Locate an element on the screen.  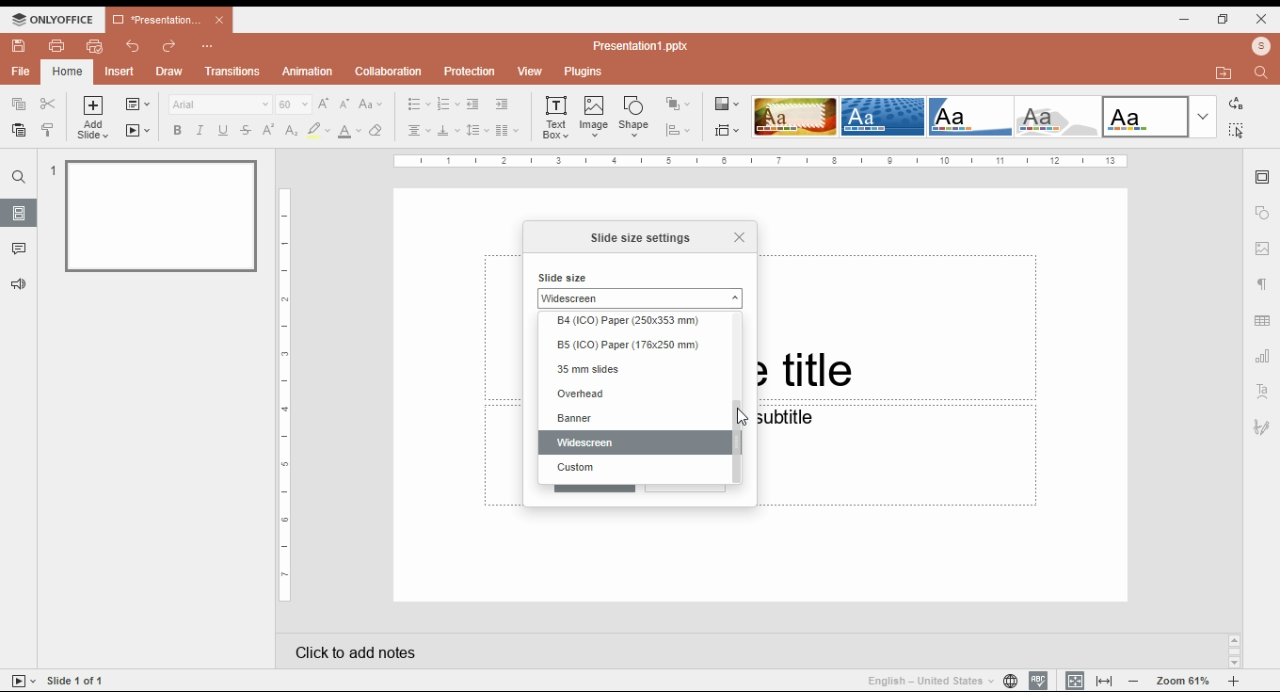
Scroll bar is located at coordinates (1234, 650).